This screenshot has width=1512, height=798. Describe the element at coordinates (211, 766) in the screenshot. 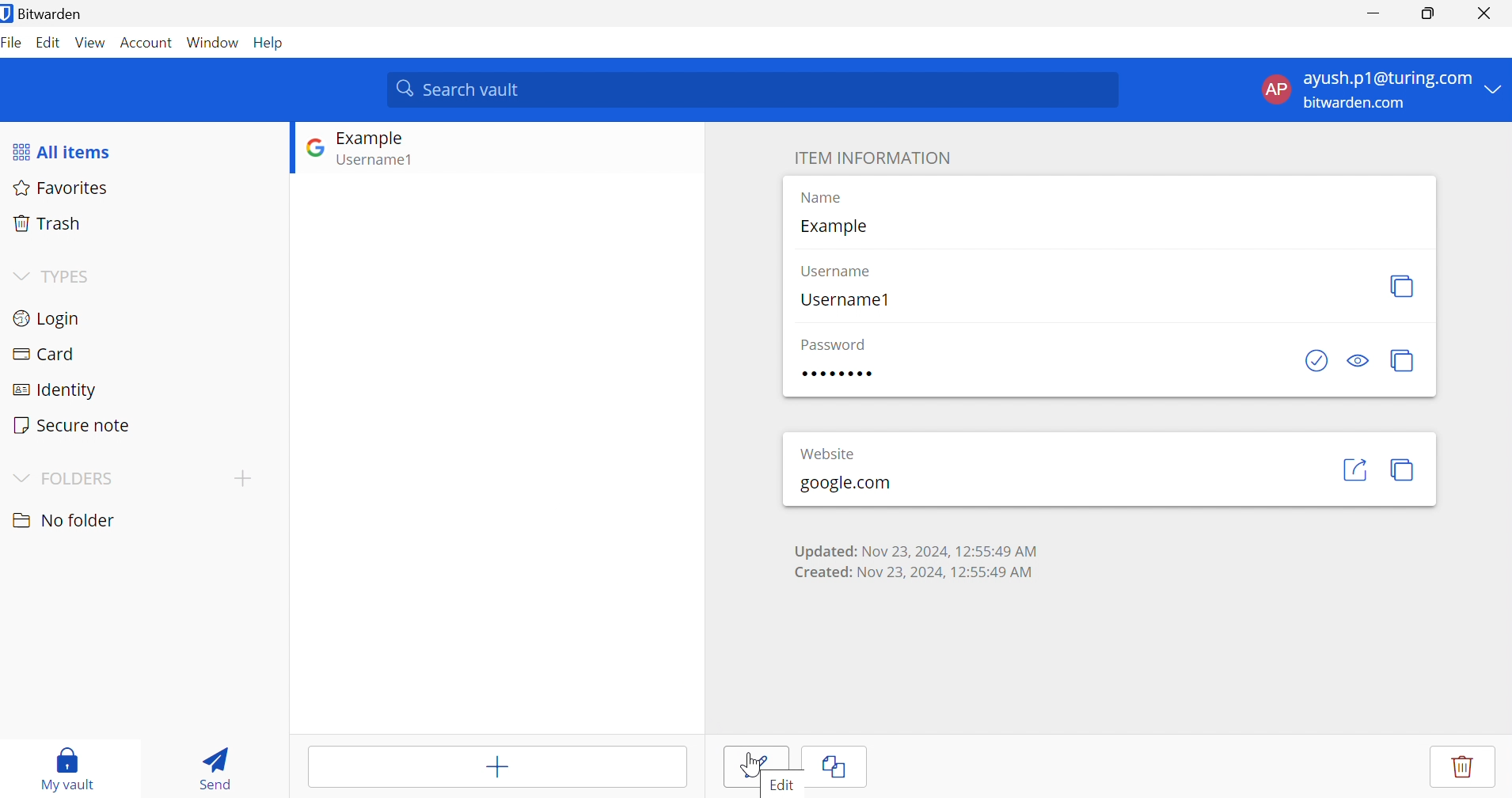

I see `Send` at that location.